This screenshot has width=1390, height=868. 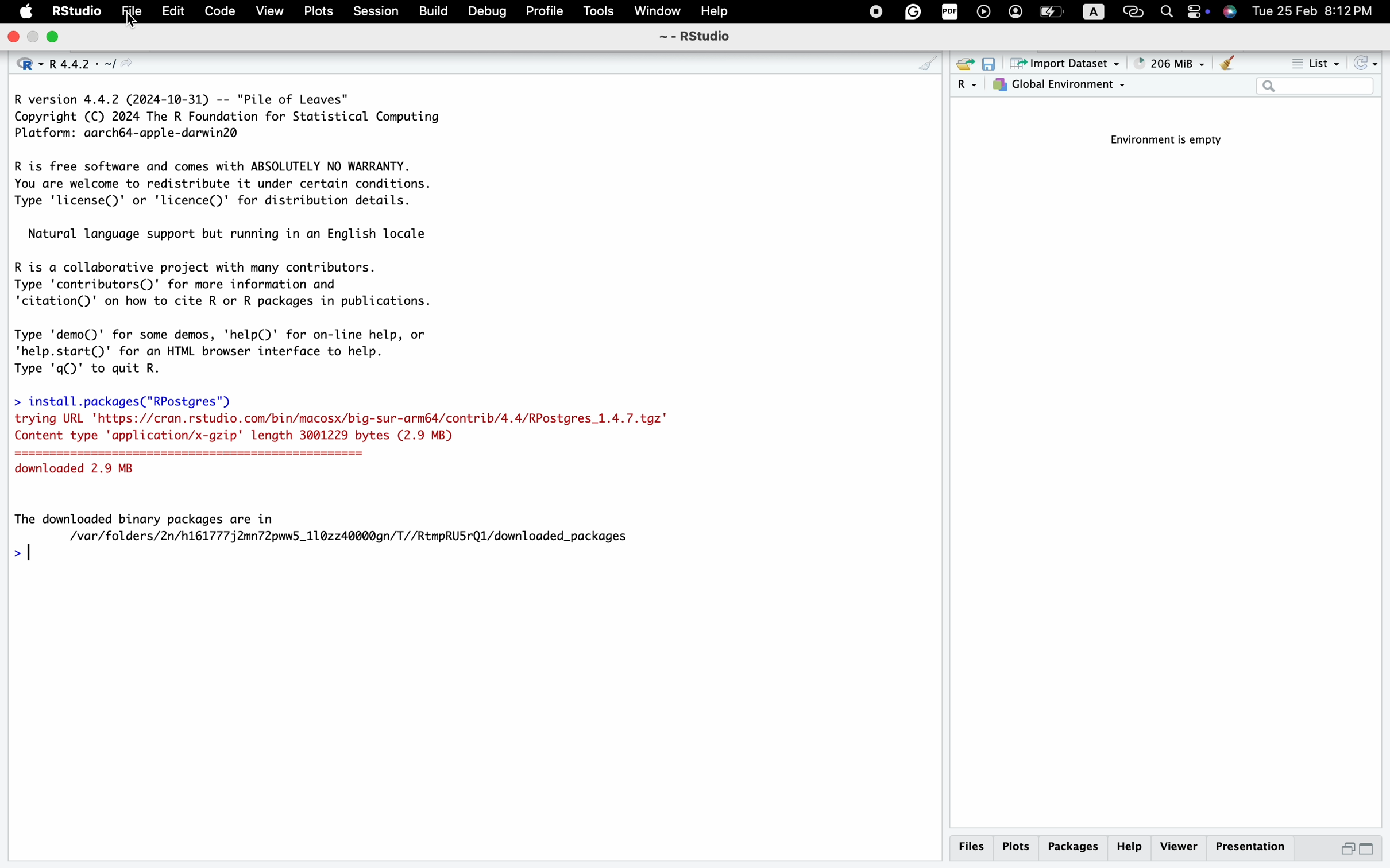 What do you see at coordinates (1178, 847) in the screenshot?
I see `viewer` at bounding box center [1178, 847].